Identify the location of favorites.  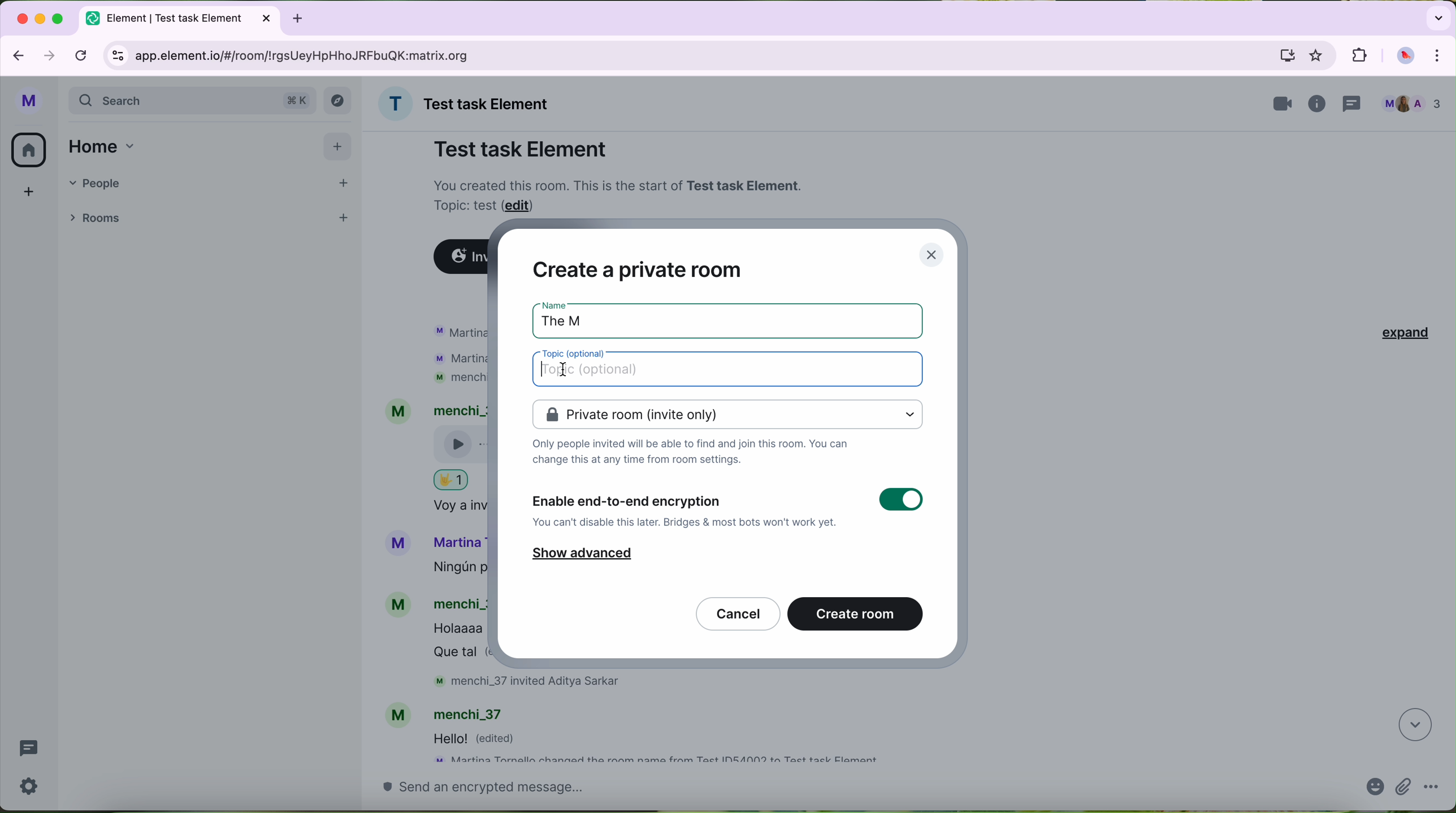
(1319, 56).